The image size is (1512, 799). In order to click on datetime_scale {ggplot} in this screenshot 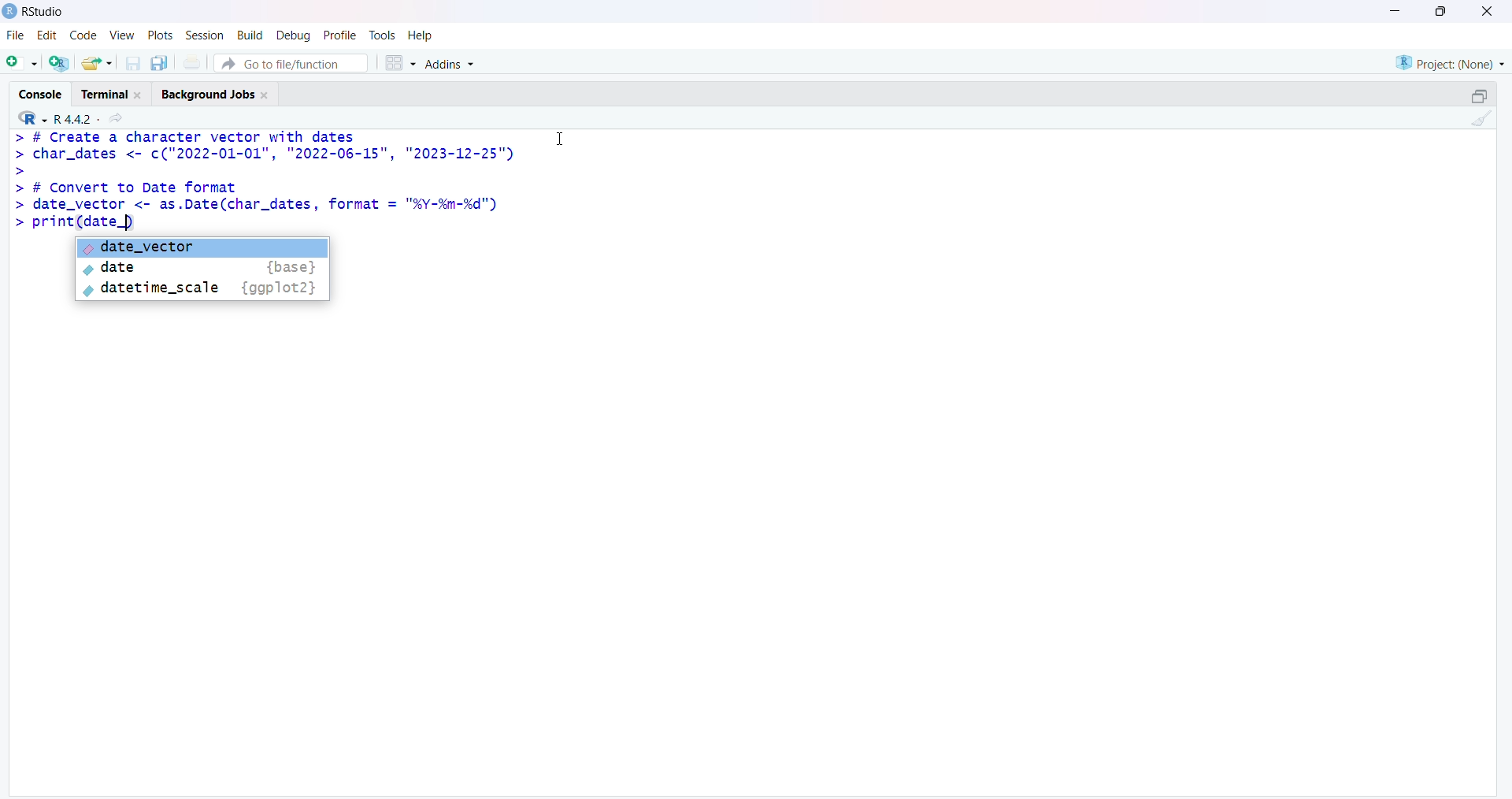, I will do `click(206, 290)`.